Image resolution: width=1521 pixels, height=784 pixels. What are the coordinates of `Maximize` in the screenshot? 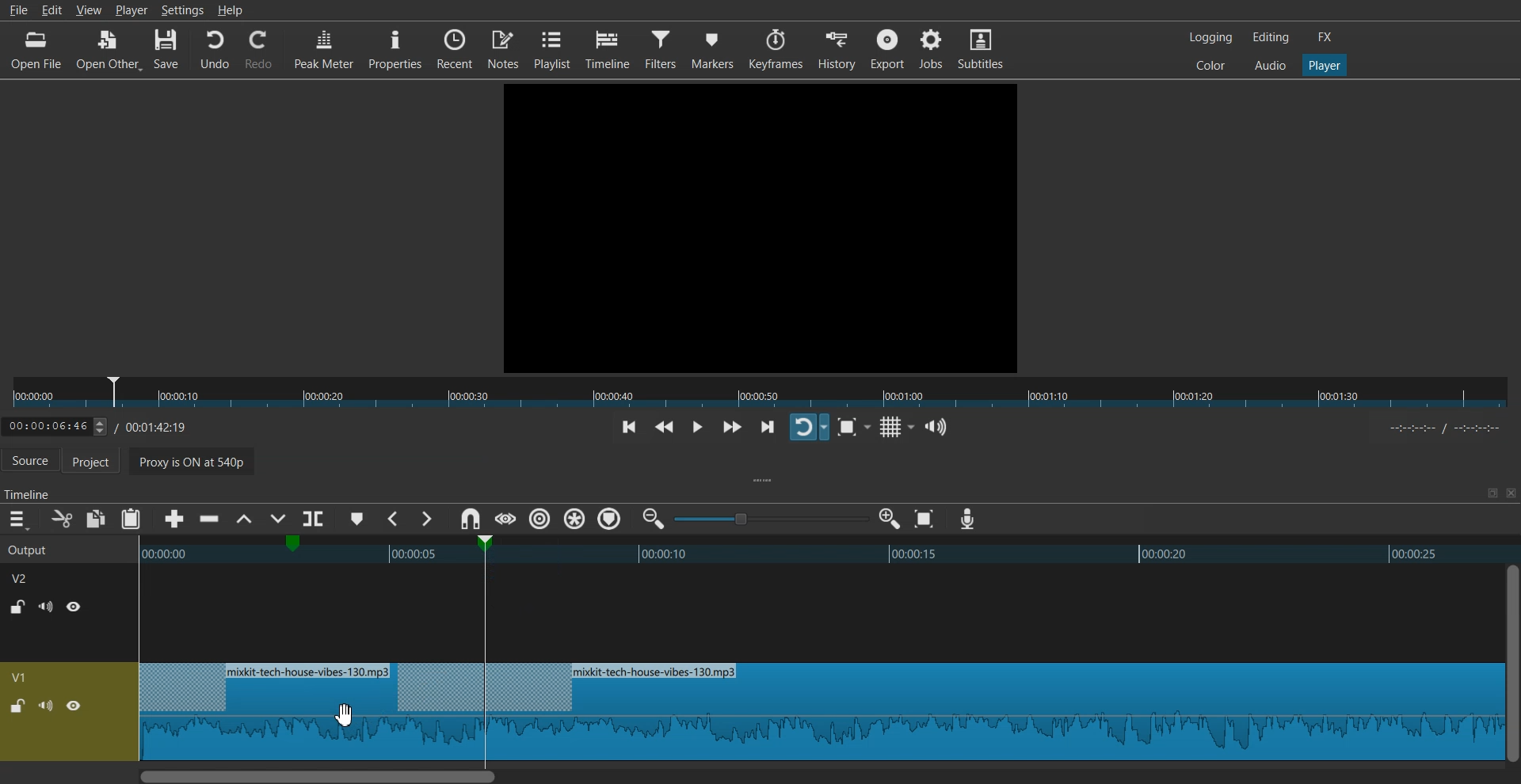 It's located at (1492, 493).